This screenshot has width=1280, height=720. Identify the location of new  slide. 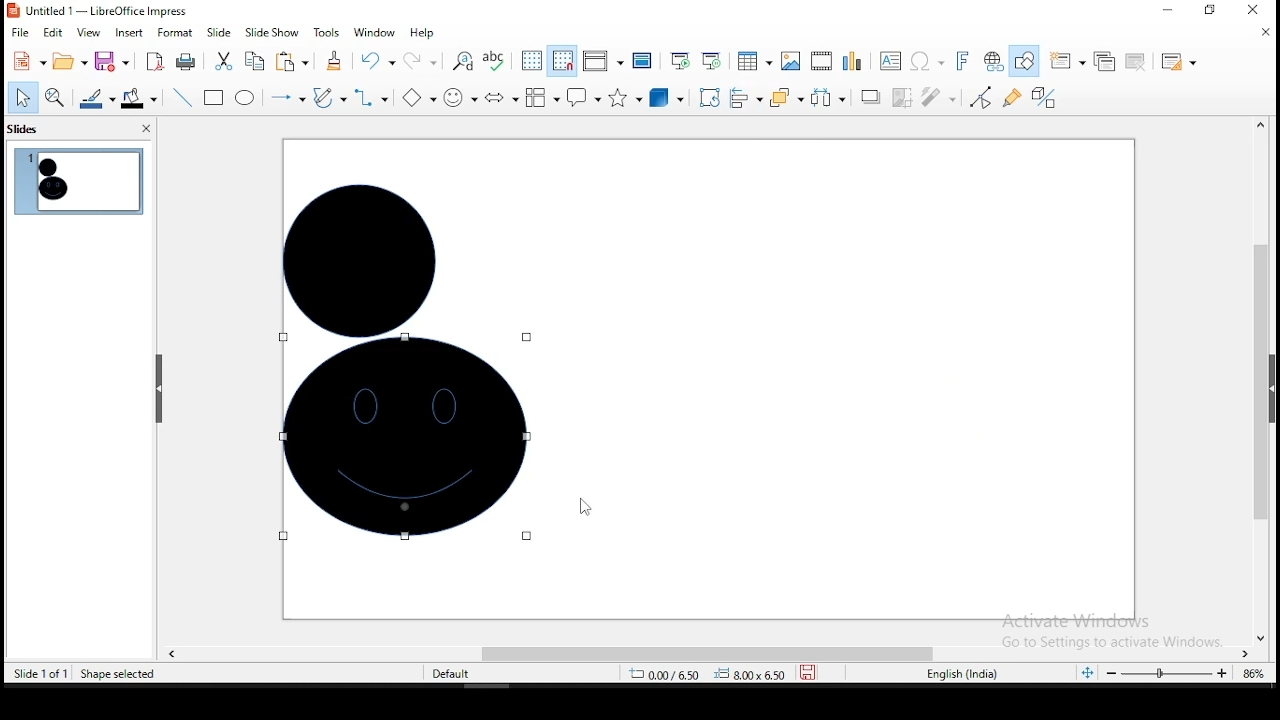
(1068, 59).